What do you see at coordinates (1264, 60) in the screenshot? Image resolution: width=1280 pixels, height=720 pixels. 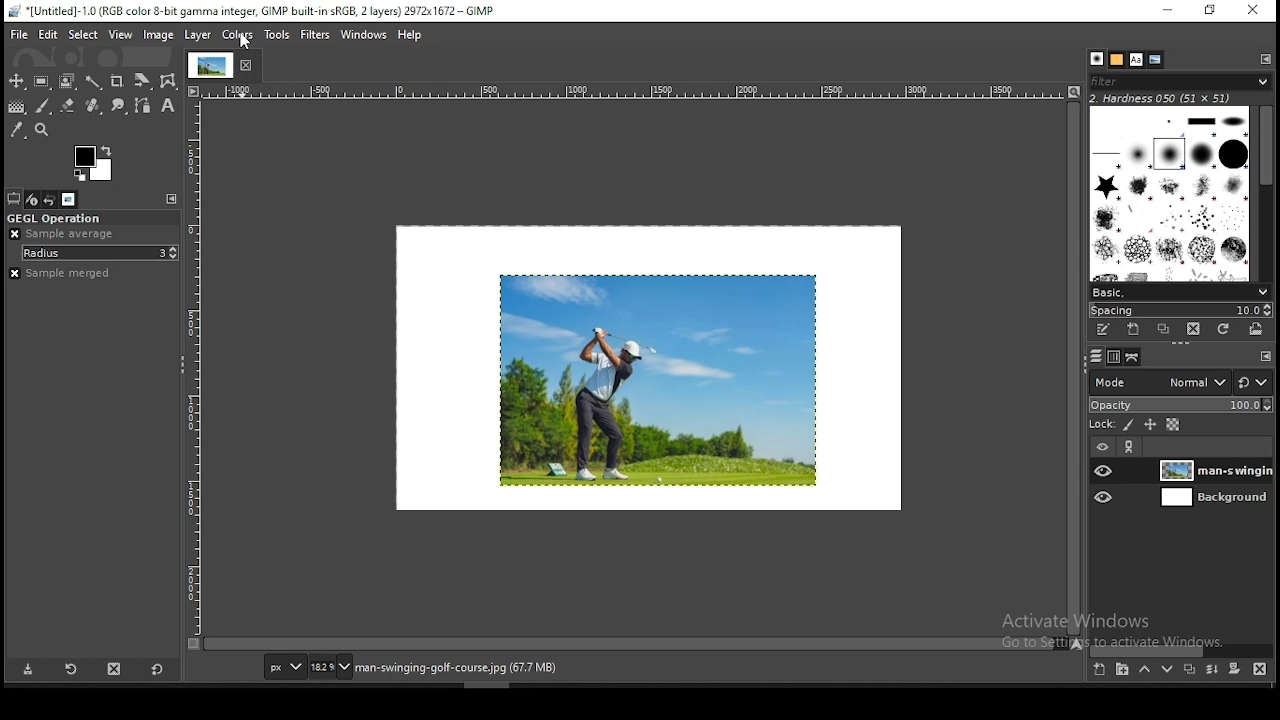 I see `configure this tab` at bounding box center [1264, 60].